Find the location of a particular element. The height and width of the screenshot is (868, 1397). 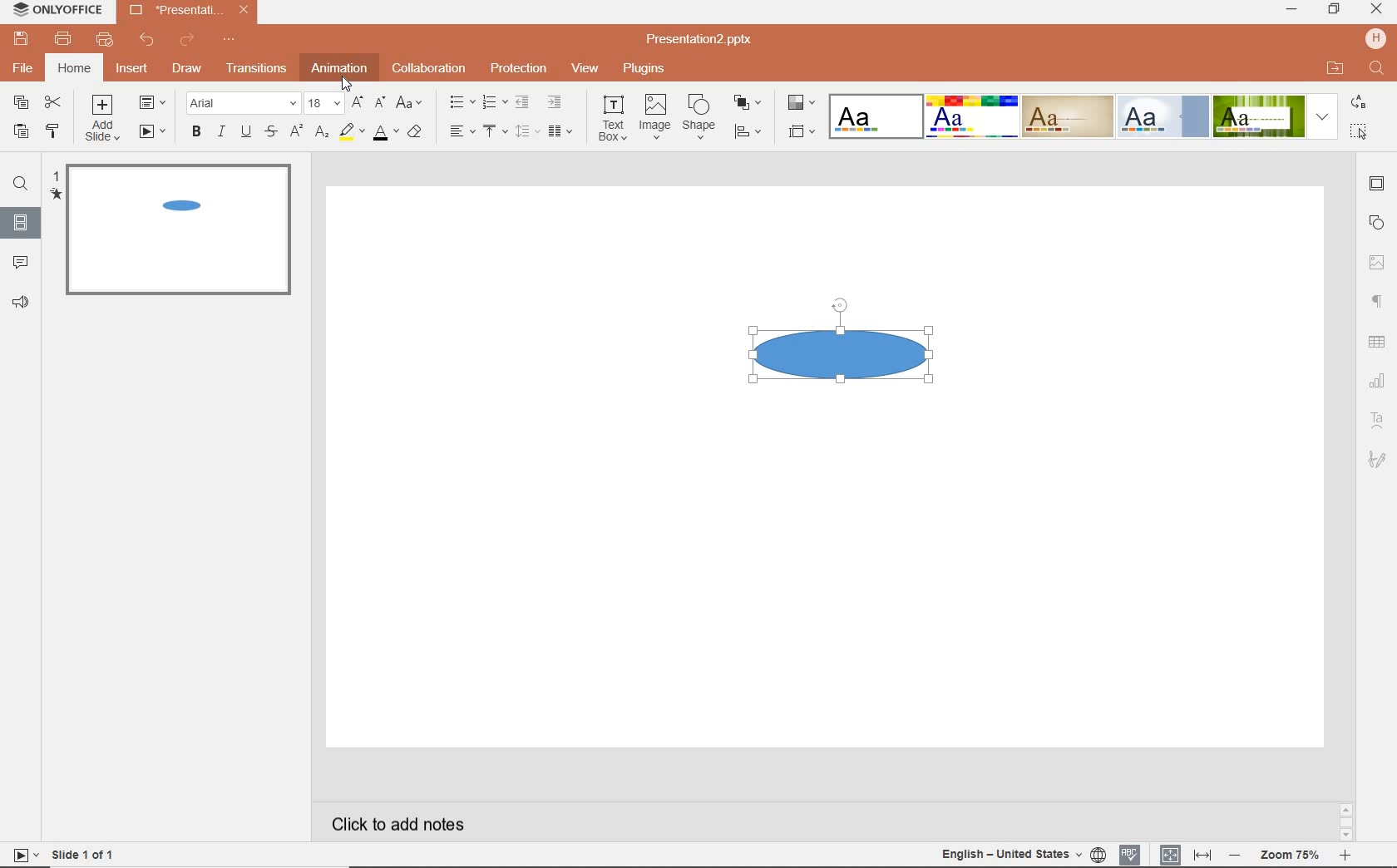

protection is located at coordinates (519, 68).